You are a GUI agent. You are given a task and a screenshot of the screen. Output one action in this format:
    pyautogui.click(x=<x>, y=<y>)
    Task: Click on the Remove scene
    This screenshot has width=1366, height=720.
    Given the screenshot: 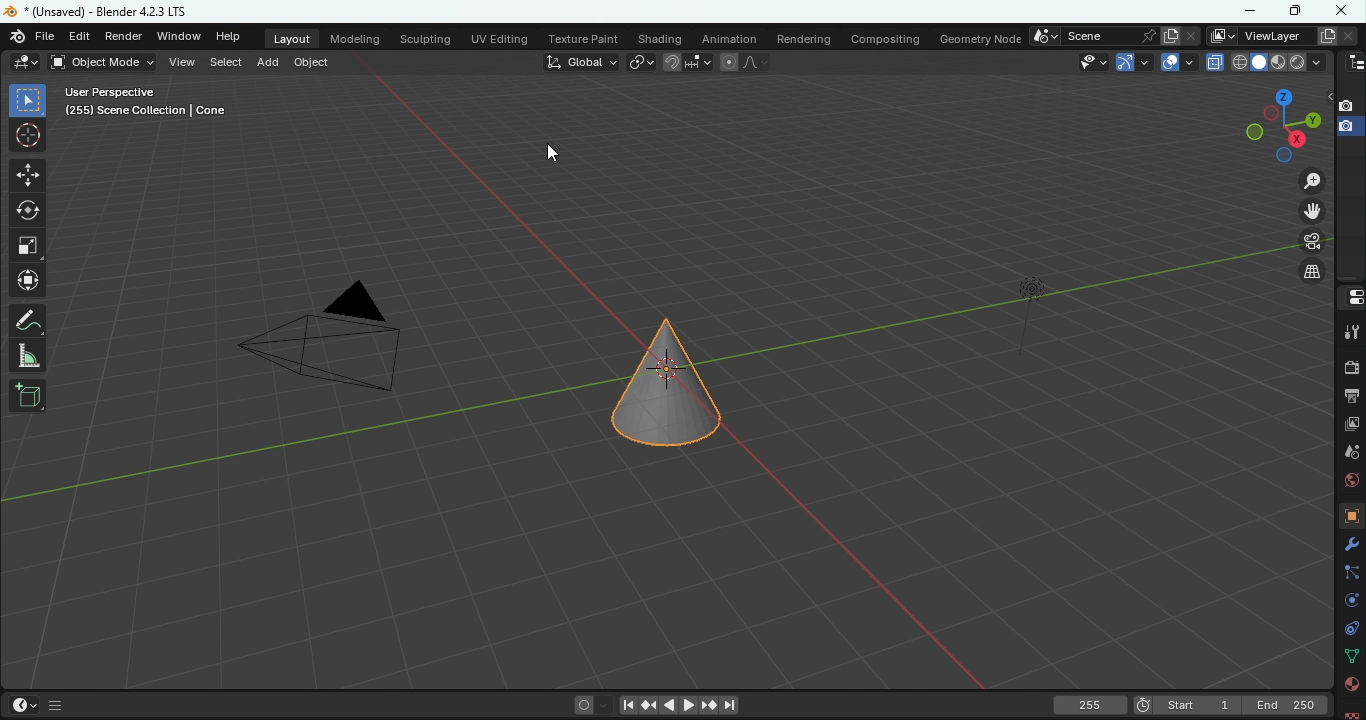 What is the action you would take?
    pyautogui.click(x=1191, y=36)
    